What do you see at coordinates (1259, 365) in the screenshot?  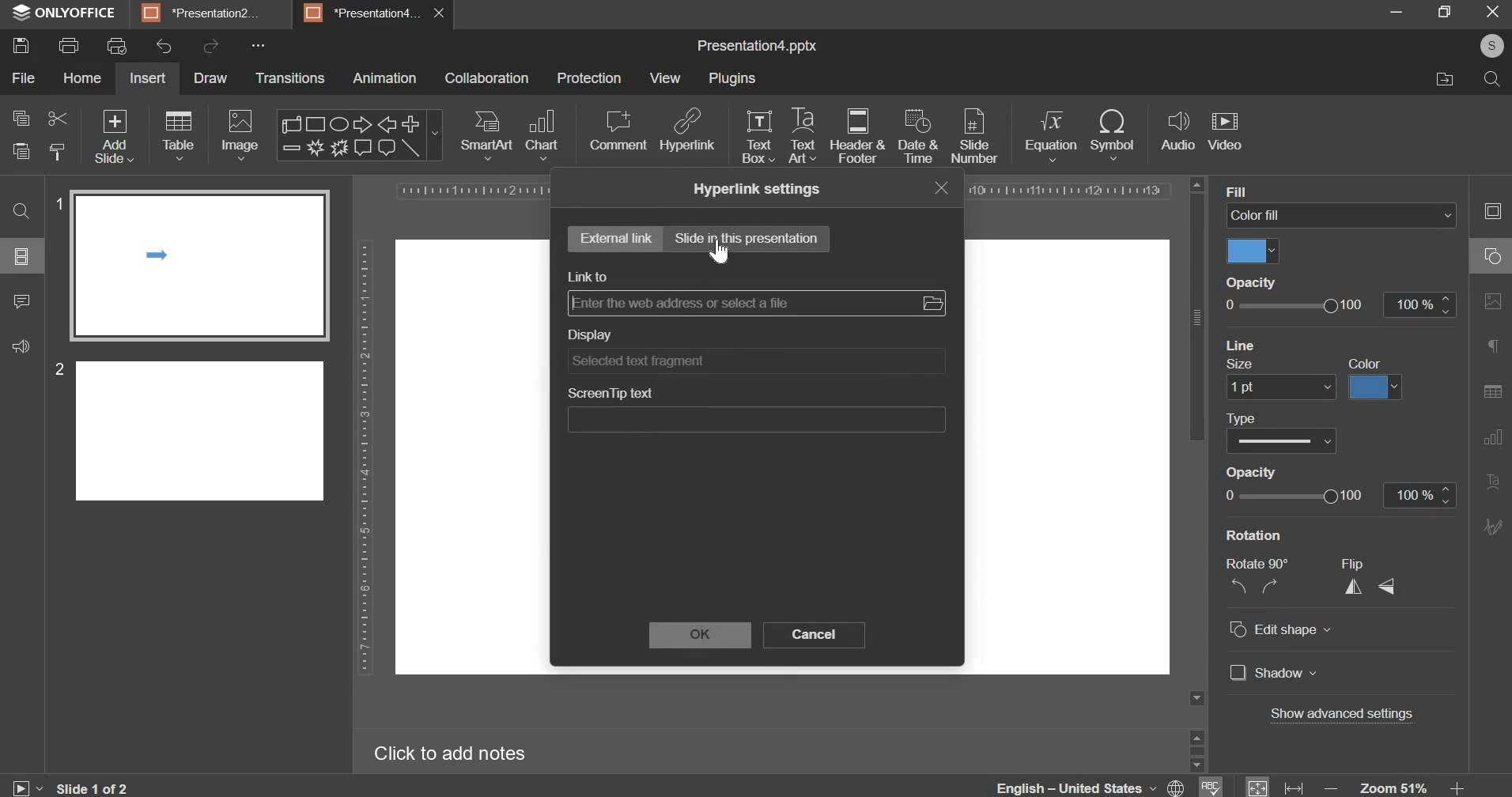 I see `reset background` at bounding box center [1259, 365].